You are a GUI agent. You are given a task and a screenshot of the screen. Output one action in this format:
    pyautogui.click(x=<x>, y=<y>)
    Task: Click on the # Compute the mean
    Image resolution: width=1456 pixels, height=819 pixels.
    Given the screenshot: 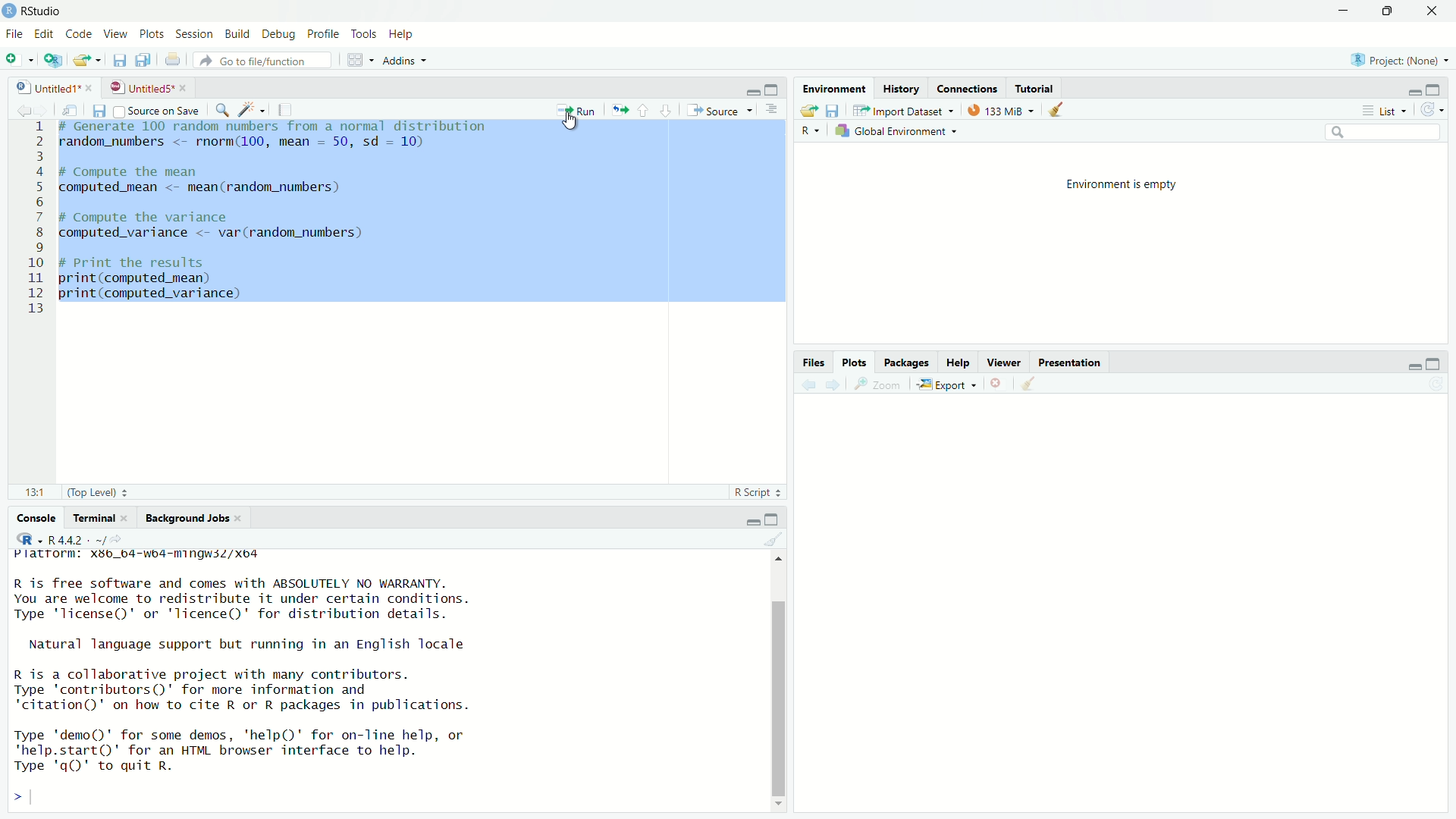 What is the action you would take?
    pyautogui.click(x=191, y=171)
    